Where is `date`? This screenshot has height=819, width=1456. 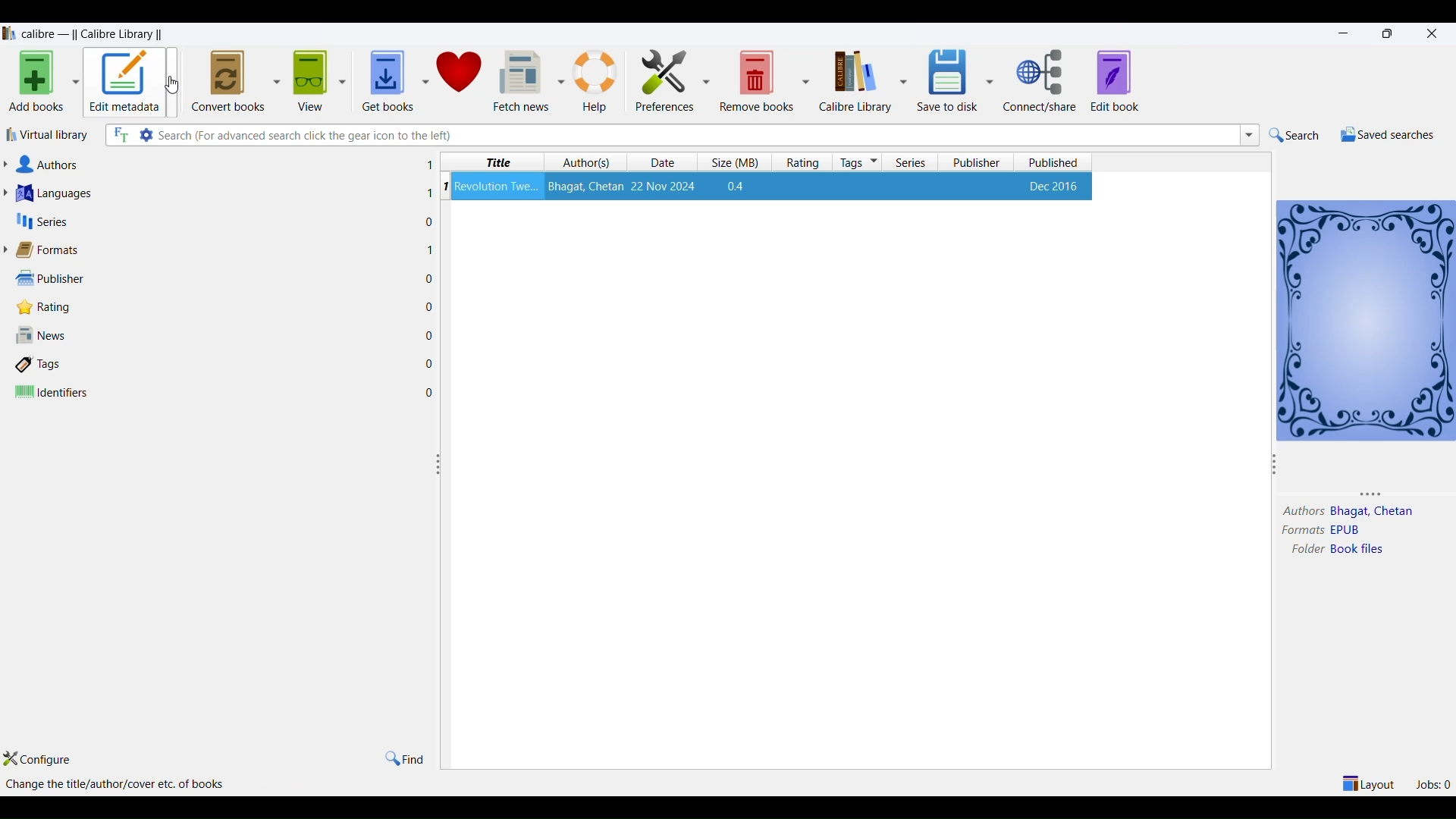
date is located at coordinates (659, 162).